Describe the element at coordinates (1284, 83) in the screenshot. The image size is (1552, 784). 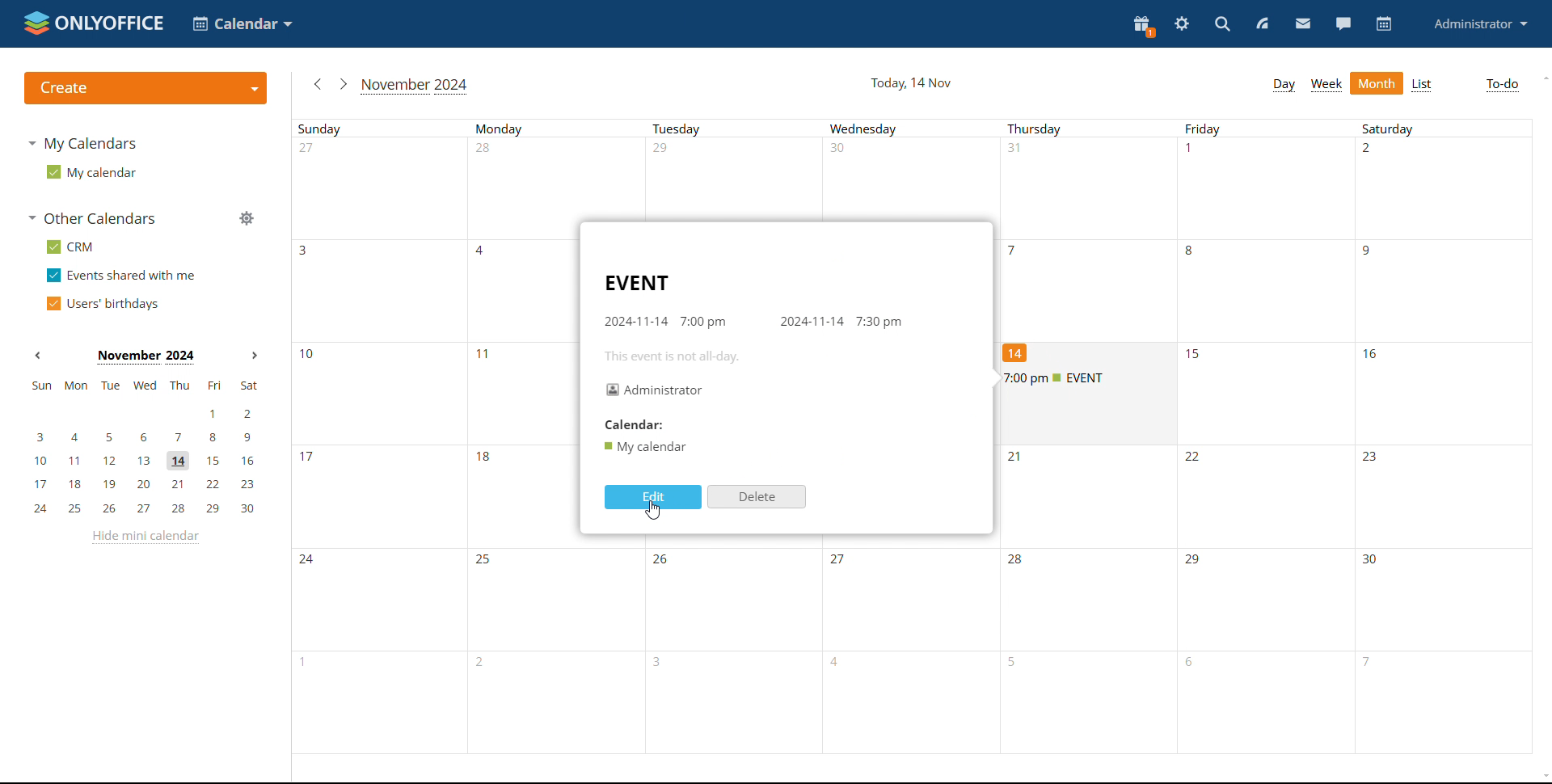
I see `day view` at that location.